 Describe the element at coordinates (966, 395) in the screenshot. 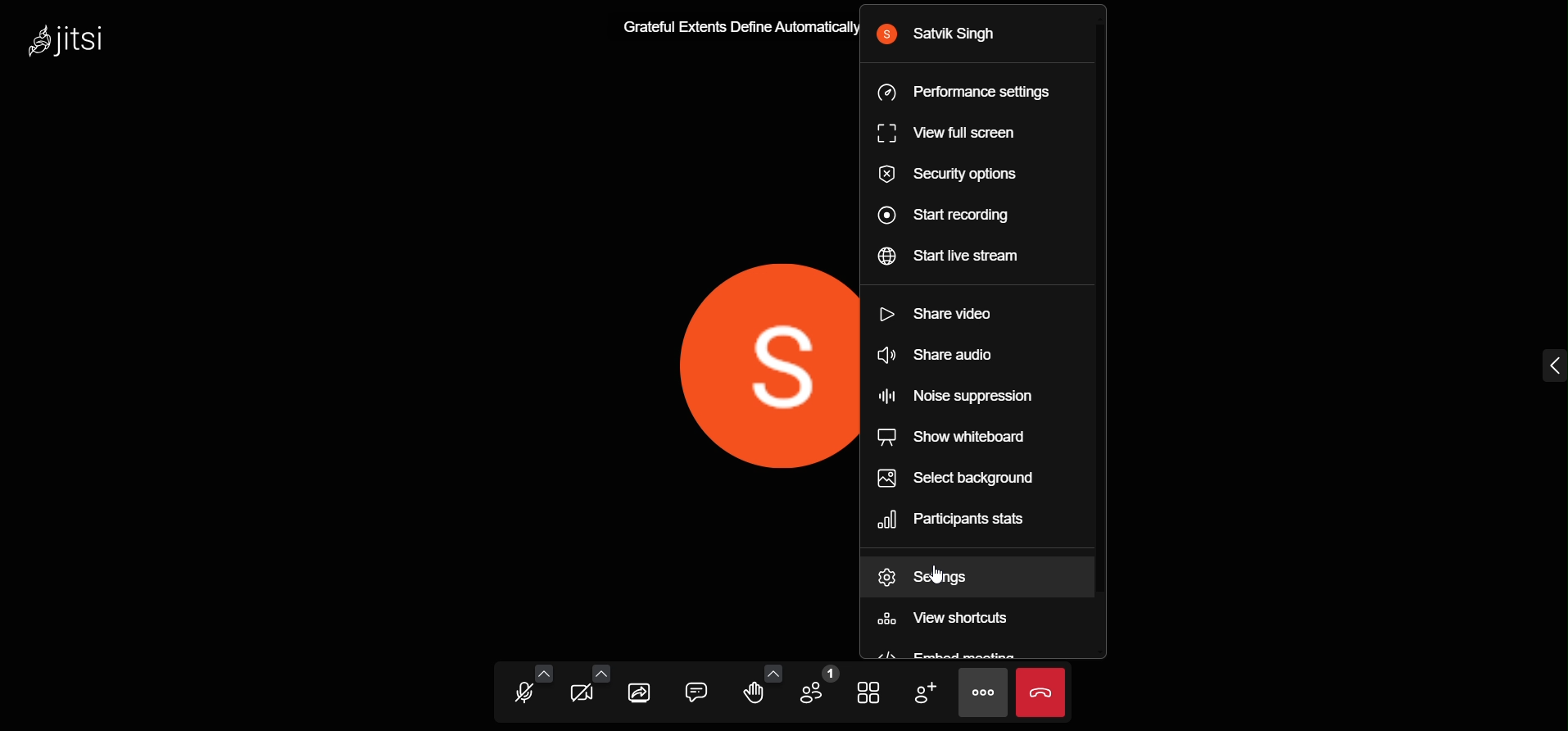

I see `noise suppression` at that location.